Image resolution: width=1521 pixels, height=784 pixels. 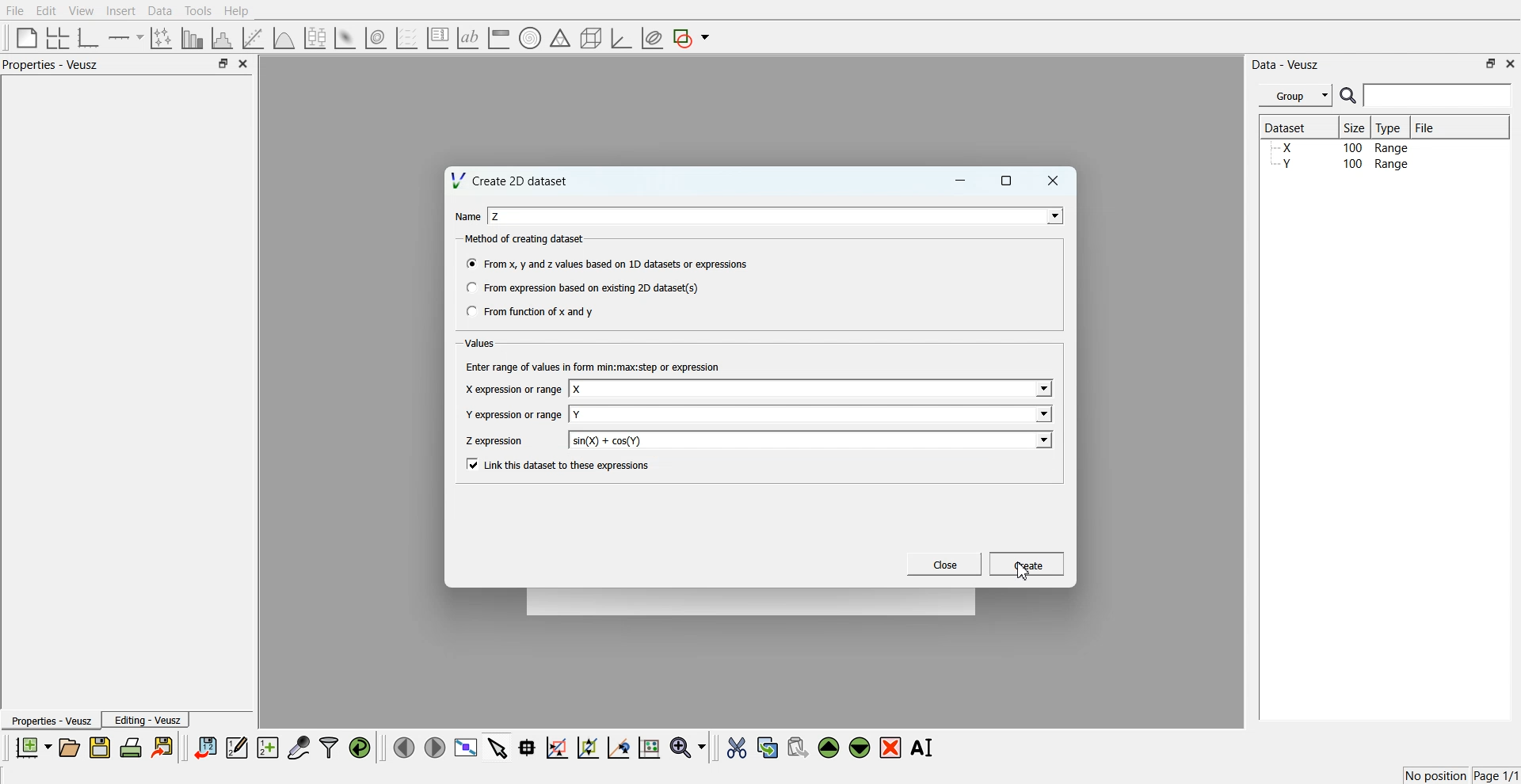 What do you see at coordinates (223, 63) in the screenshot?
I see `Maximize` at bounding box center [223, 63].